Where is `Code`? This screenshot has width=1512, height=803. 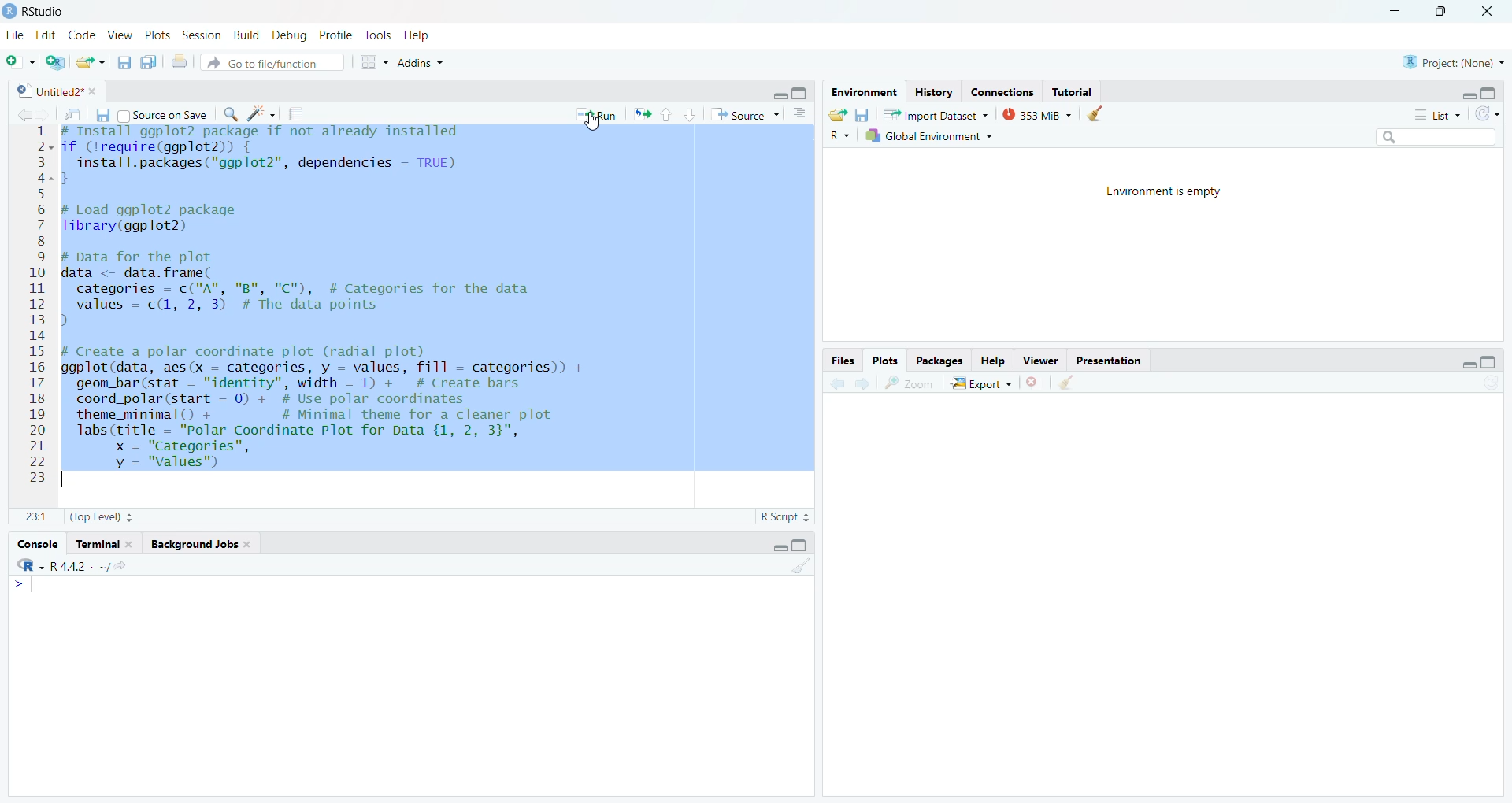 Code is located at coordinates (80, 36).